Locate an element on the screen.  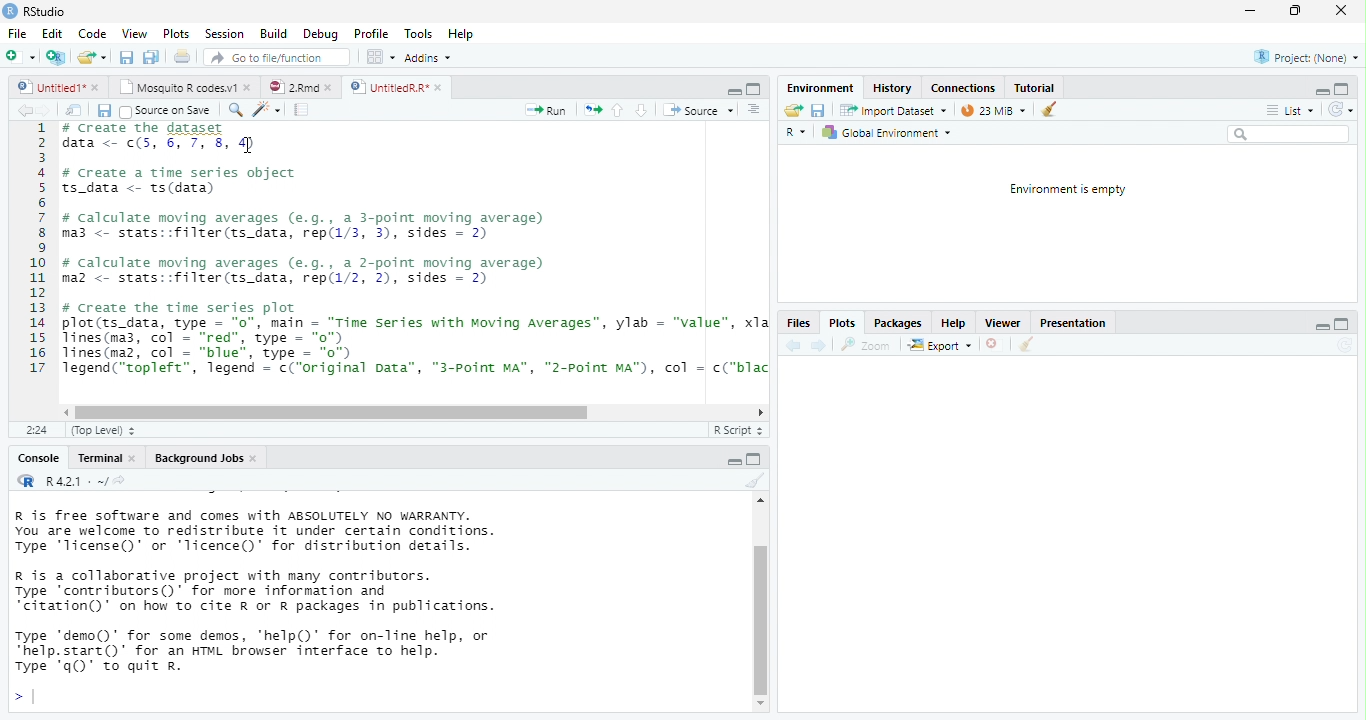
Packages is located at coordinates (898, 323).